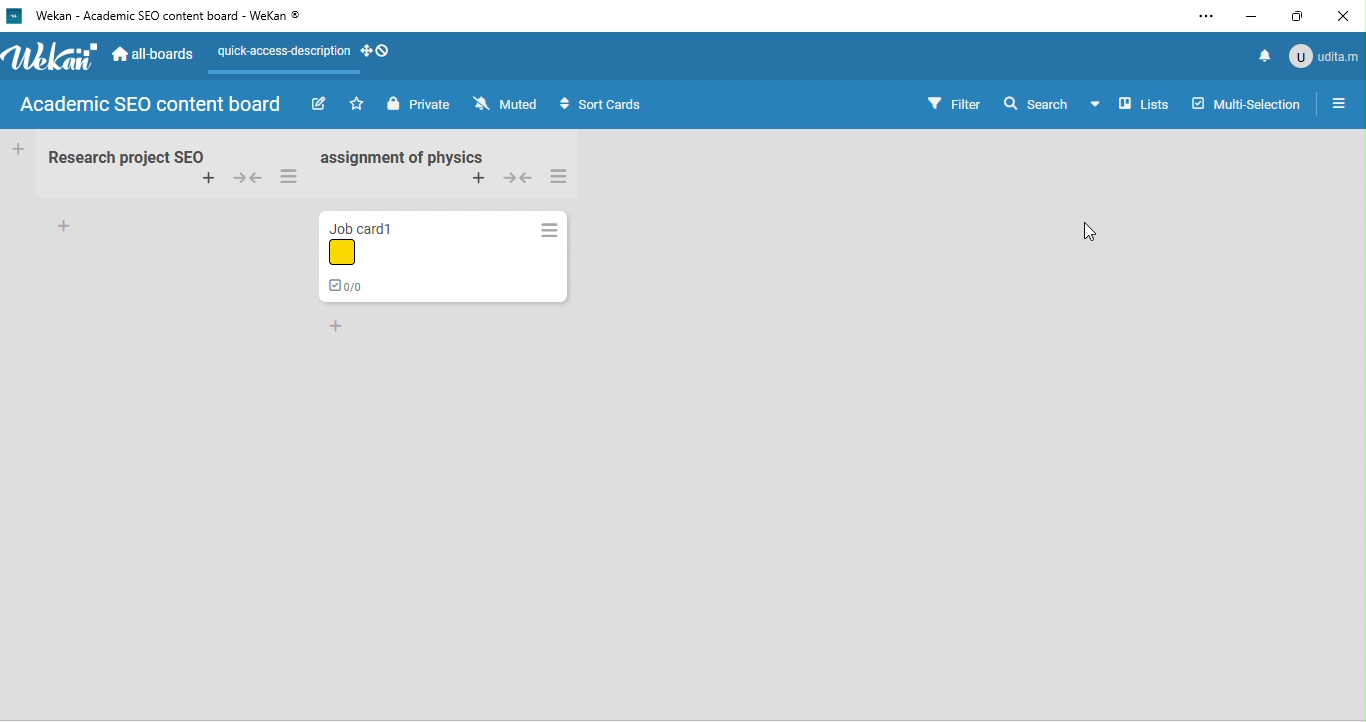 This screenshot has width=1366, height=722. I want to click on add card to top of list, so click(477, 181).